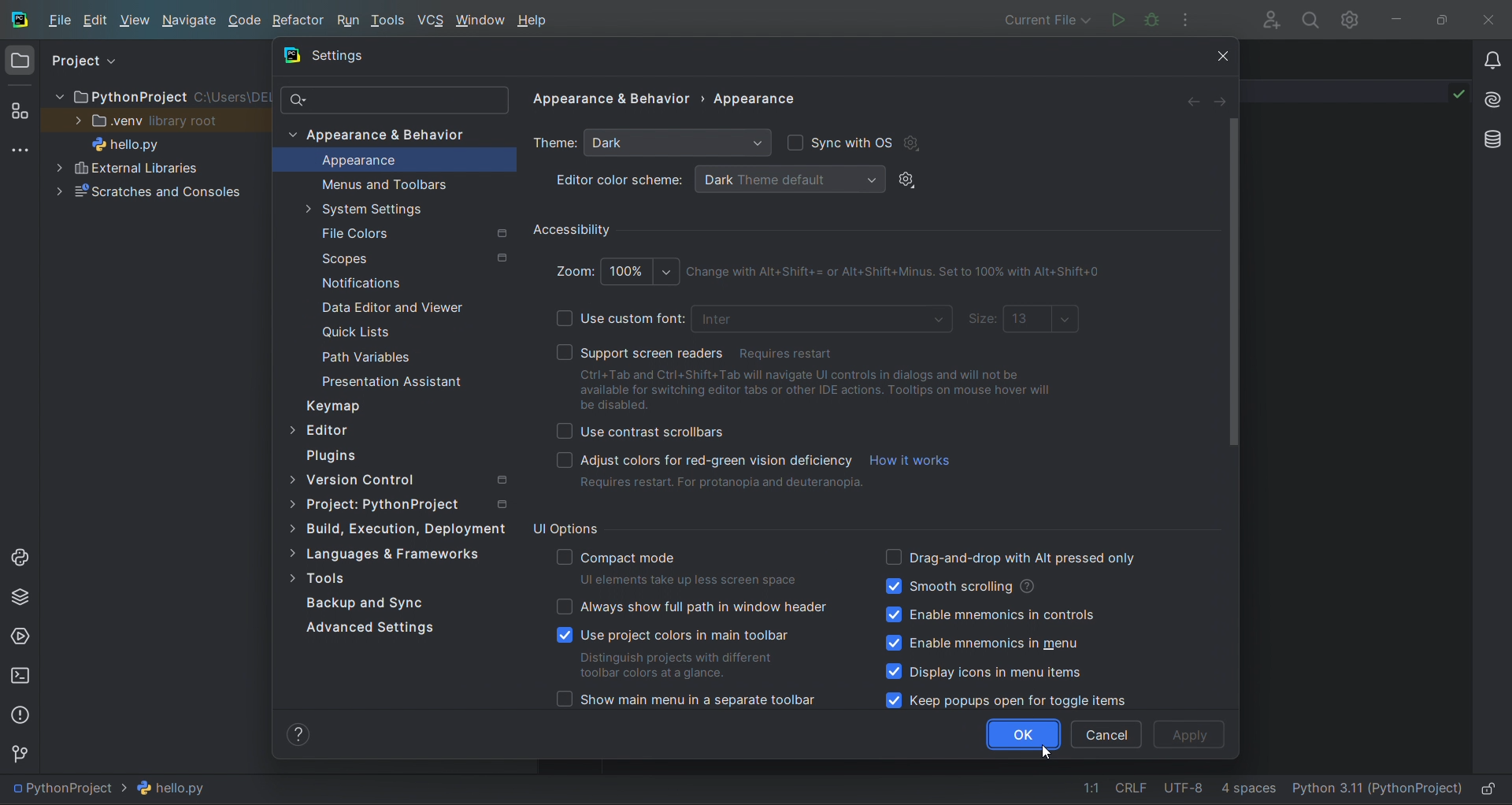  Describe the element at coordinates (22, 636) in the screenshot. I see `services` at that location.